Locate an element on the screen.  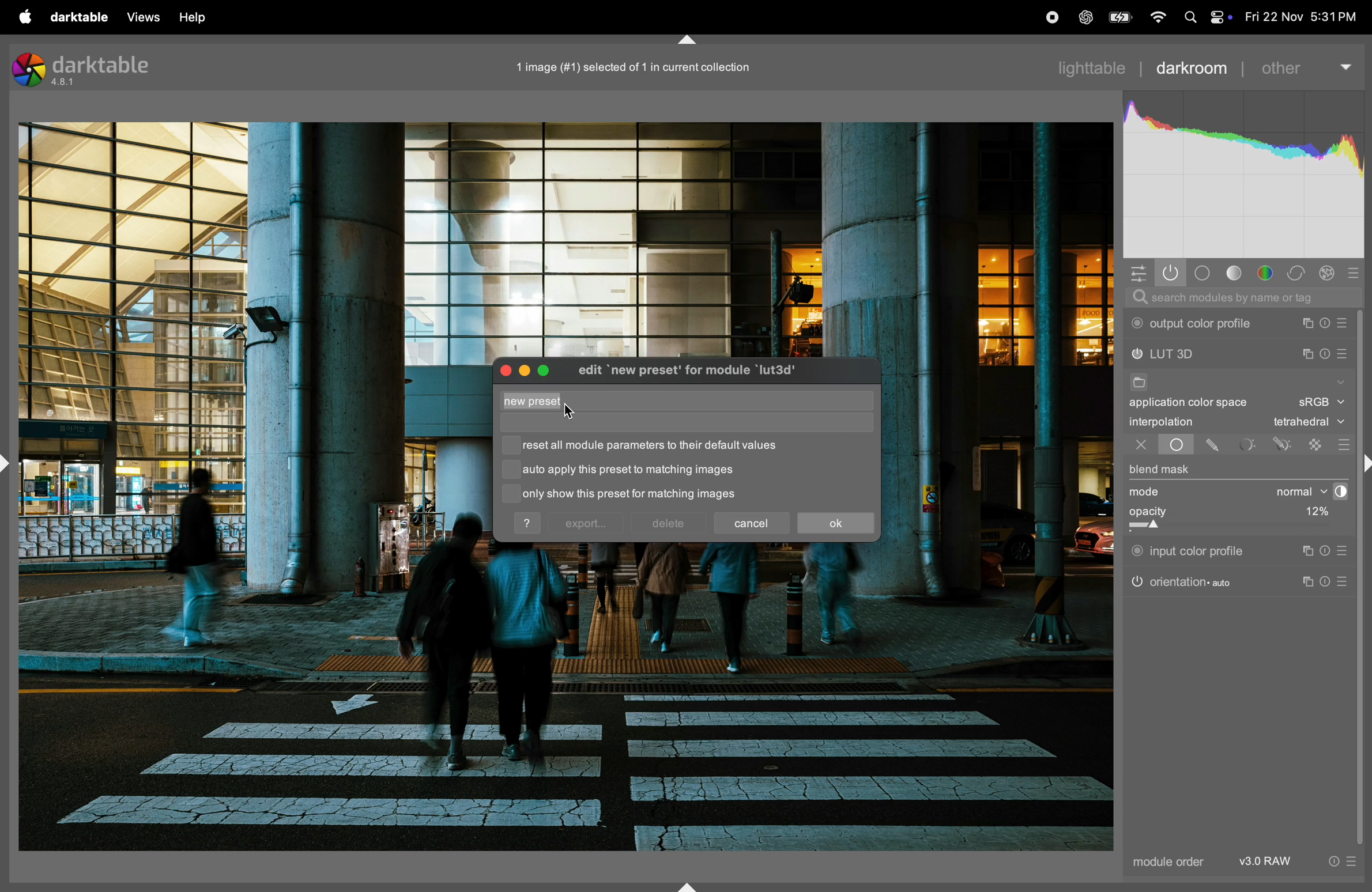
checkbox is located at coordinates (511, 472).